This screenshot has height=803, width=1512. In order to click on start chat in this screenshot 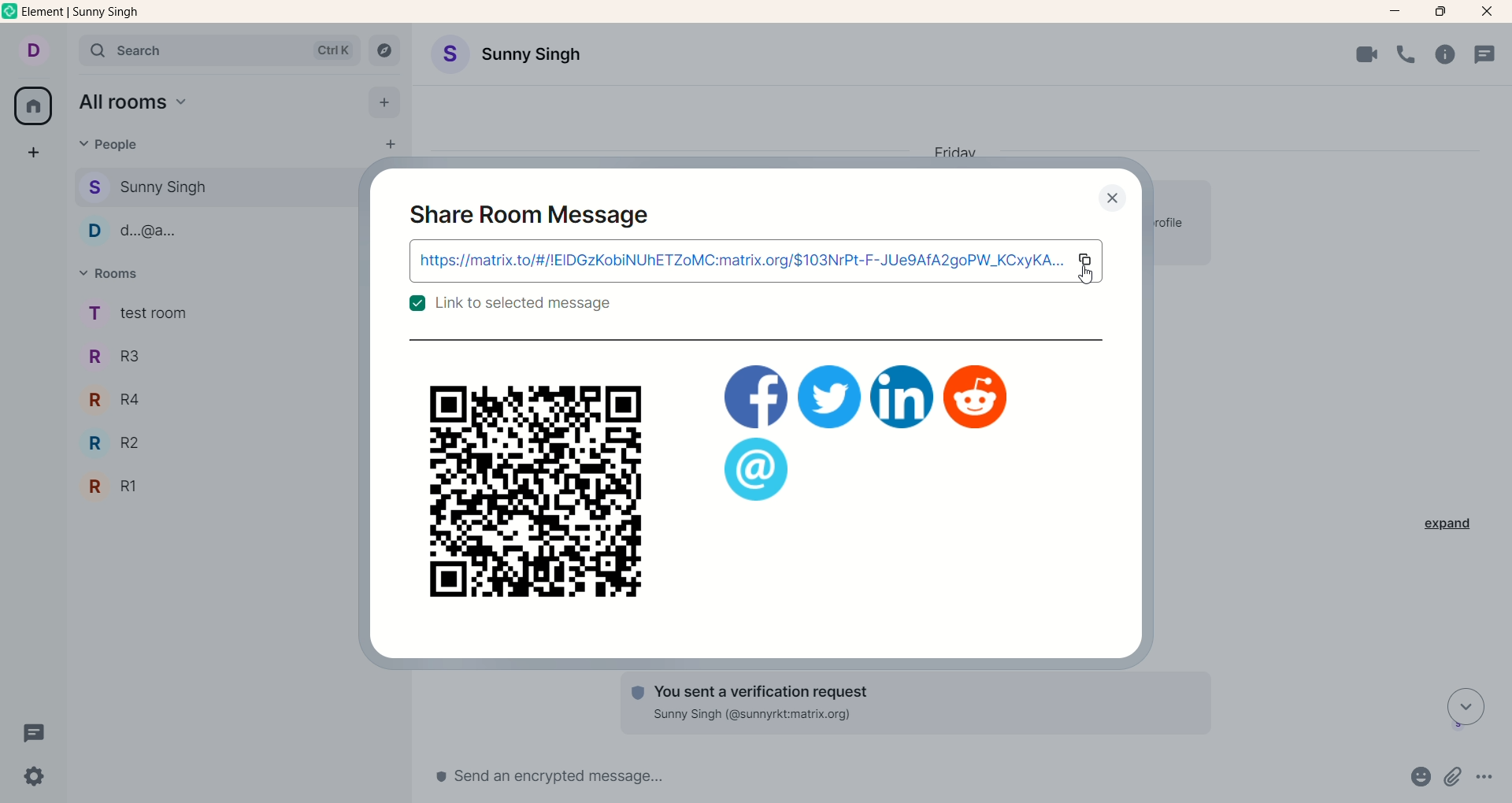, I will do `click(381, 146)`.